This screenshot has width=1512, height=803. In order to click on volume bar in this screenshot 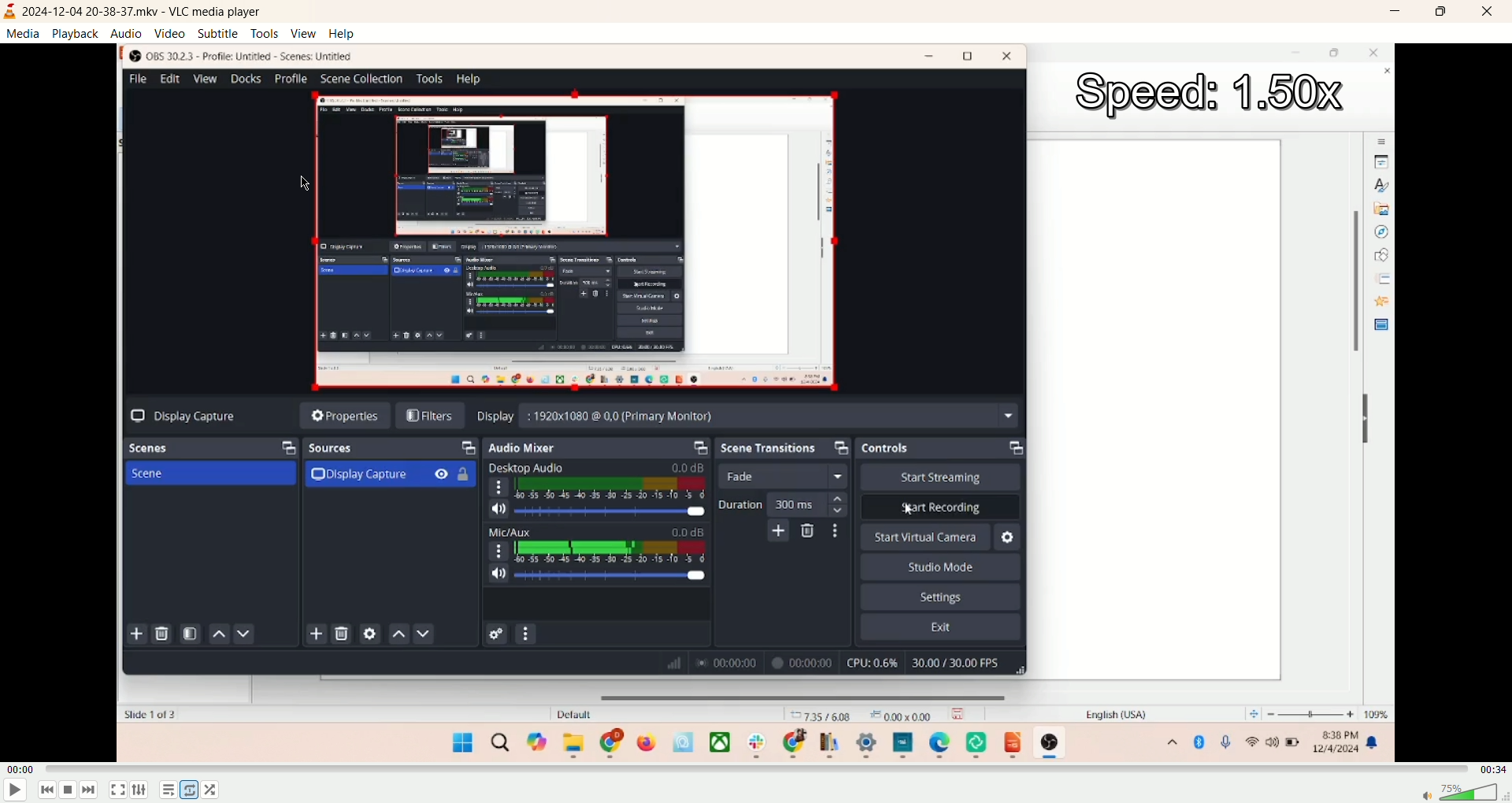, I will do `click(1458, 792)`.